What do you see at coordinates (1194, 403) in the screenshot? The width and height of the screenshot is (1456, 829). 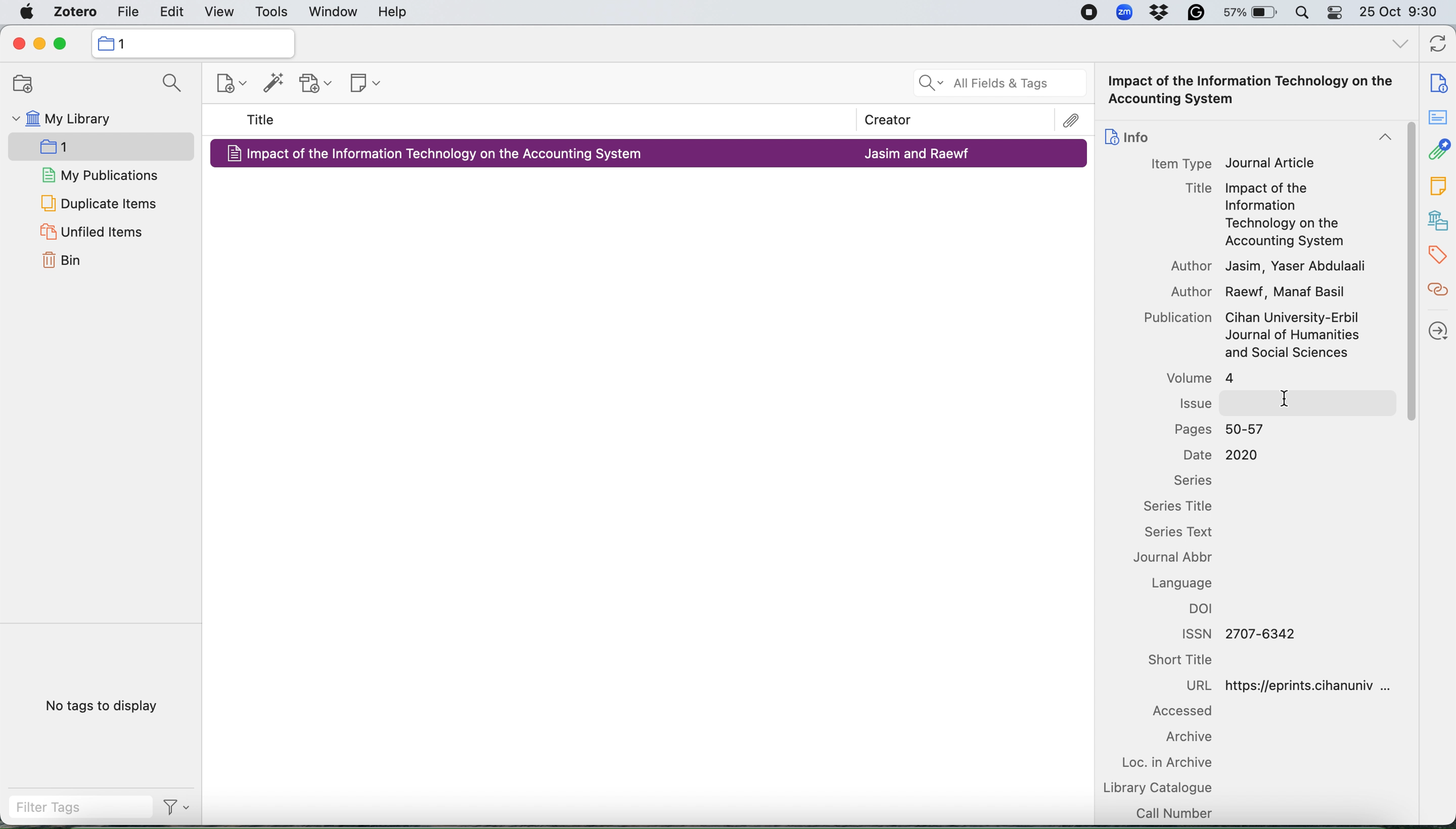 I see `issue` at bounding box center [1194, 403].